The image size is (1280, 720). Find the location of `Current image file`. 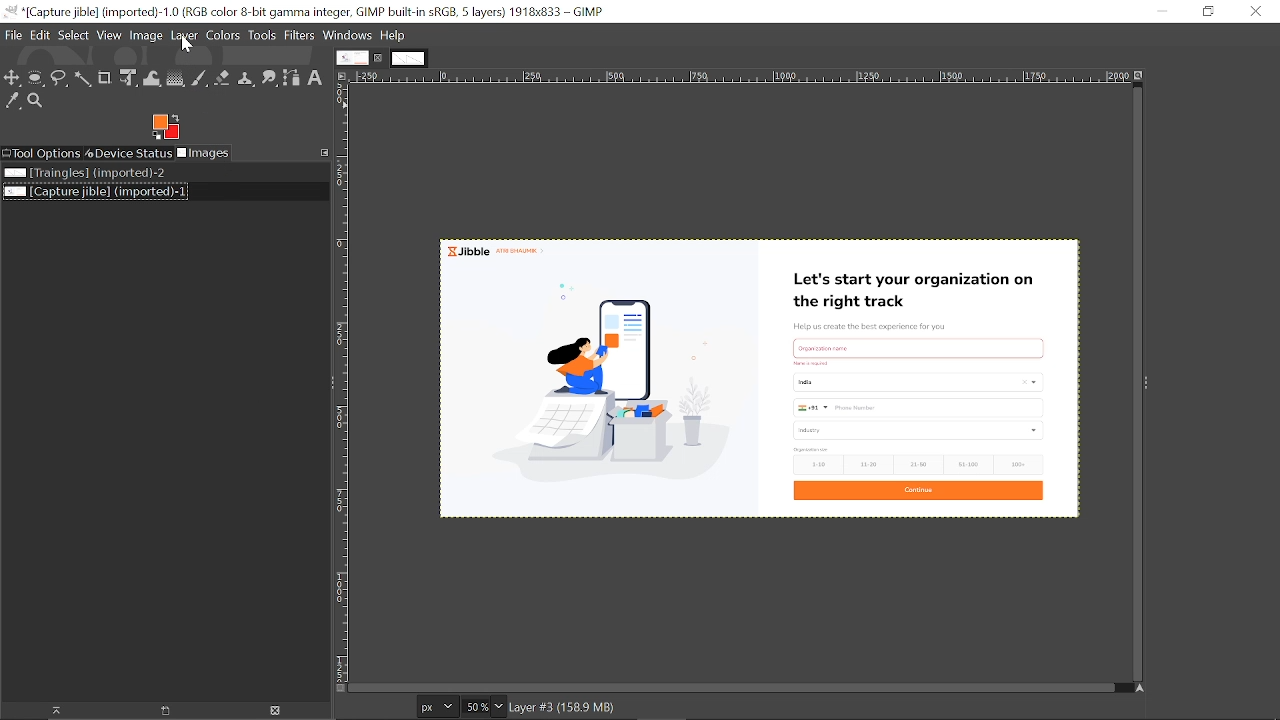

Current image file is located at coordinates (94, 193).